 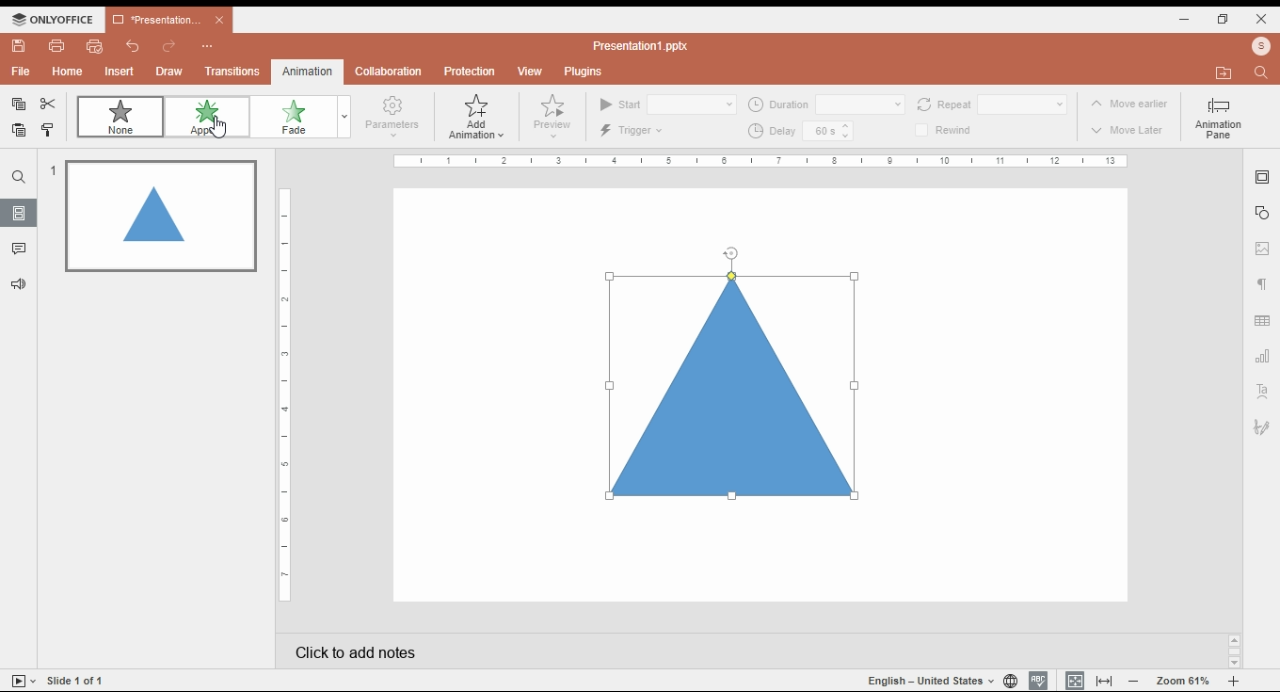 I want to click on more options, so click(x=207, y=47).